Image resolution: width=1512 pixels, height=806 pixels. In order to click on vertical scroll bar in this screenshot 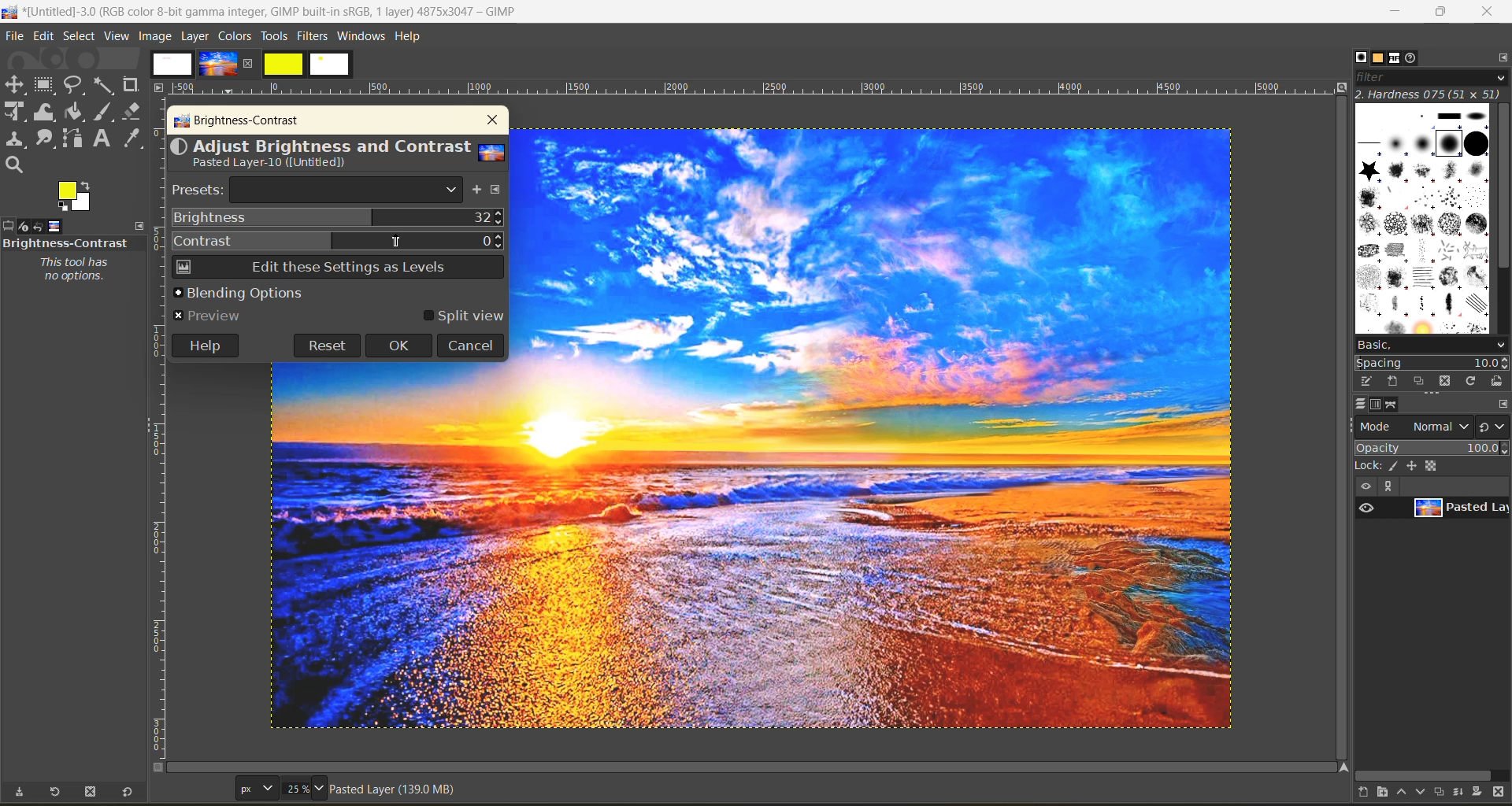, I will do `click(1503, 190)`.